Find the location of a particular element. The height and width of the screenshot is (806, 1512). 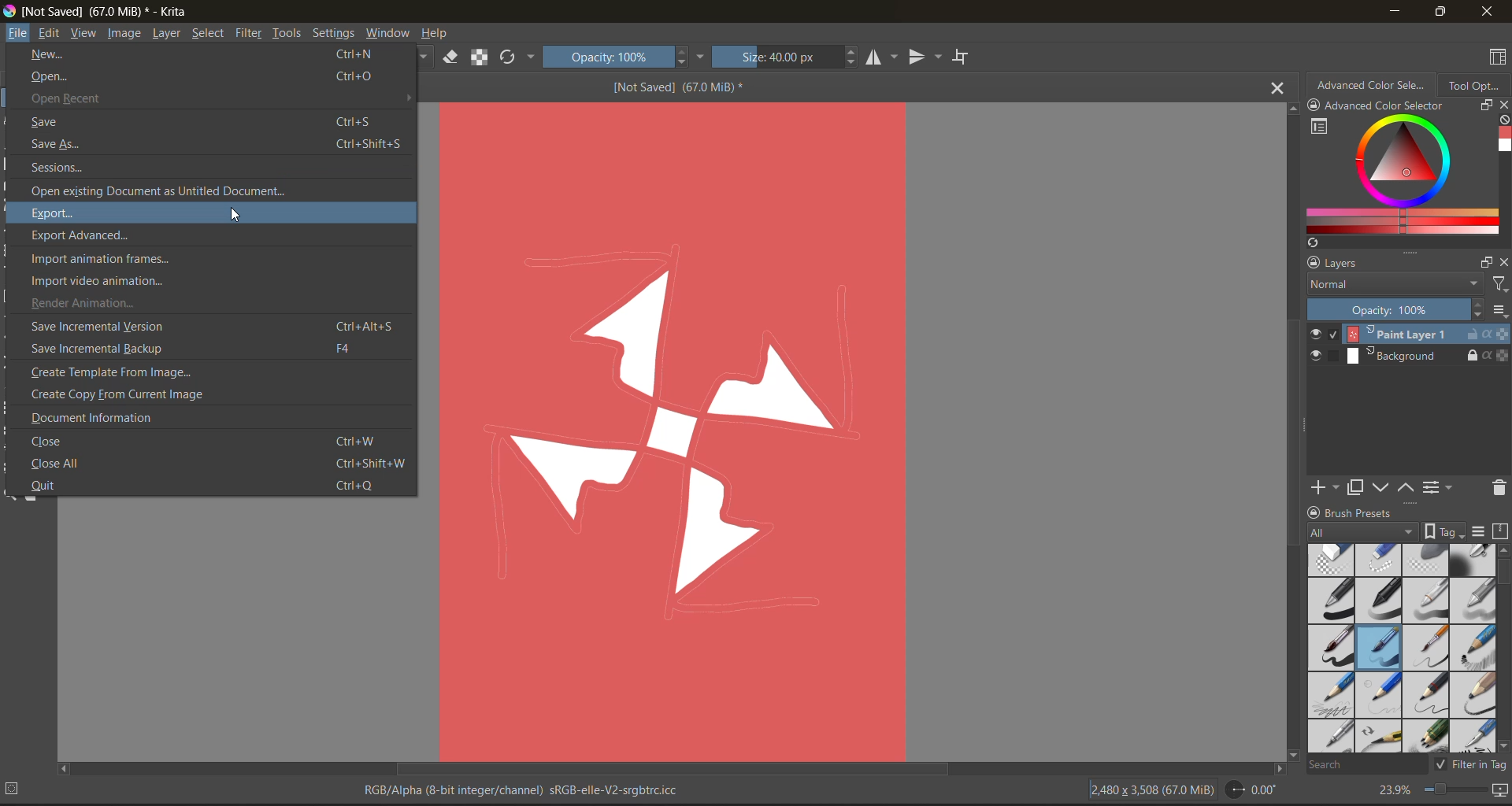

sessions is located at coordinates (135, 166).